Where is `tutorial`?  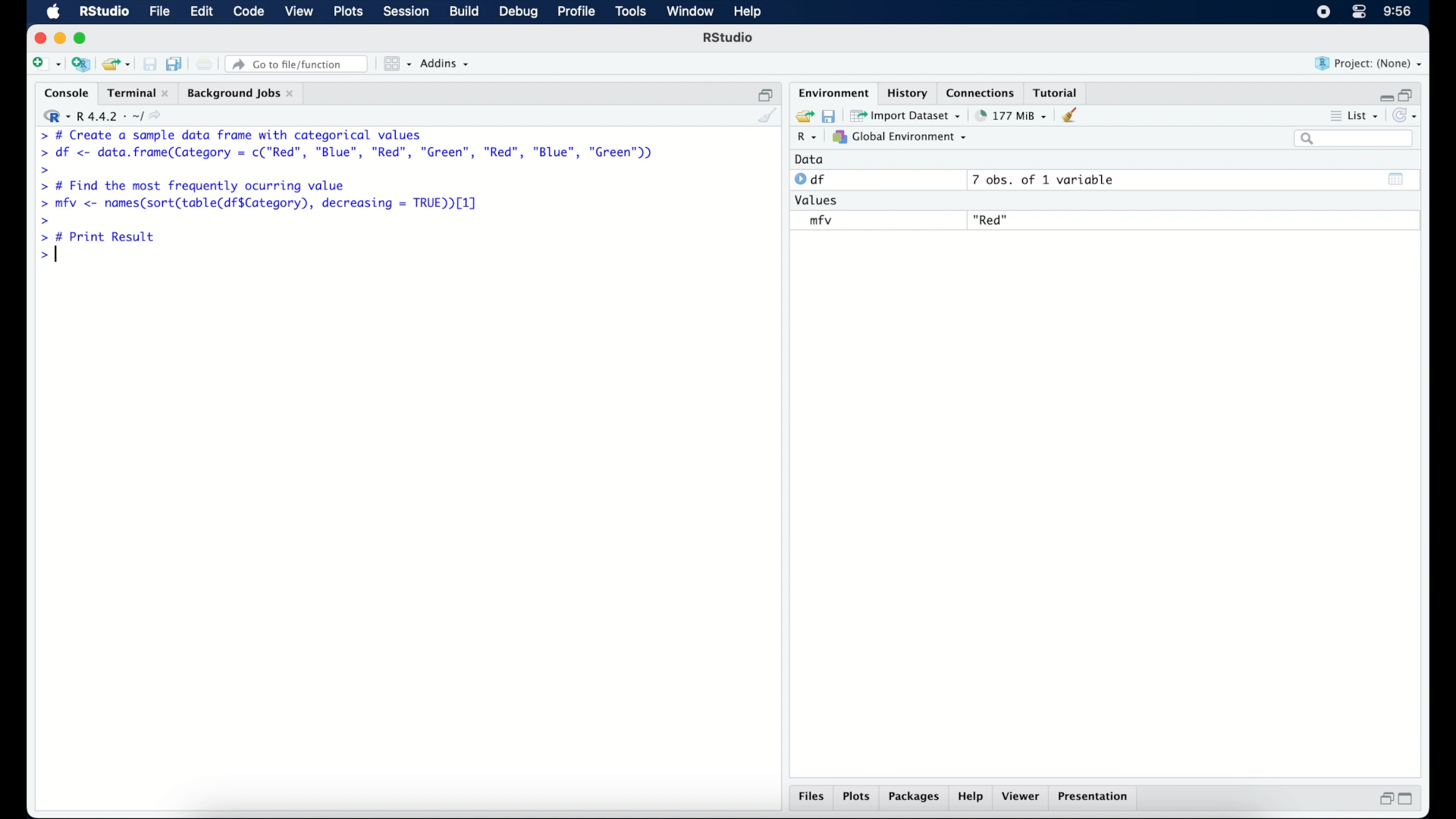
tutorial is located at coordinates (1059, 92).